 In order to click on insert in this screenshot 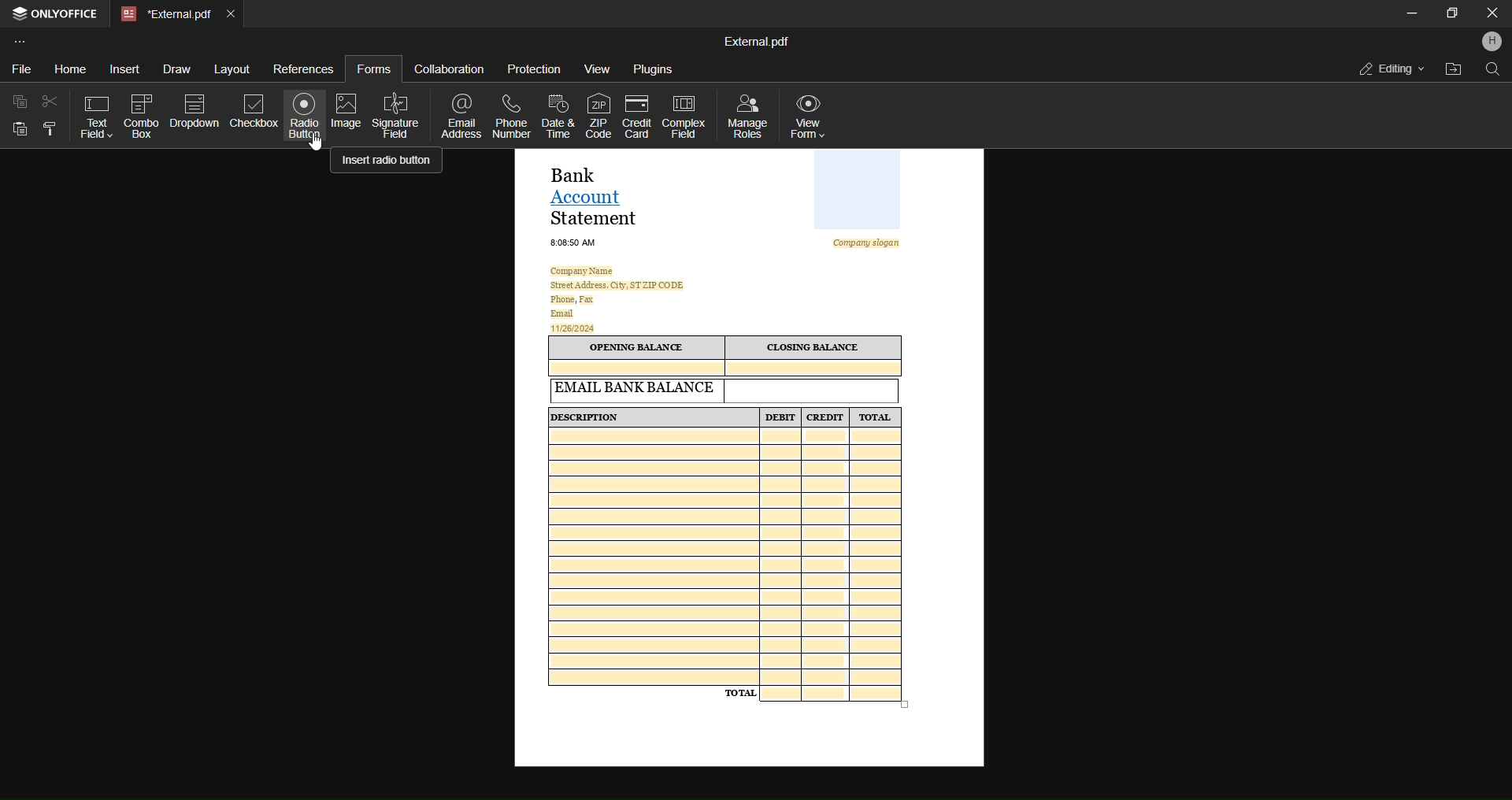, I will do `click(119, 67)`.